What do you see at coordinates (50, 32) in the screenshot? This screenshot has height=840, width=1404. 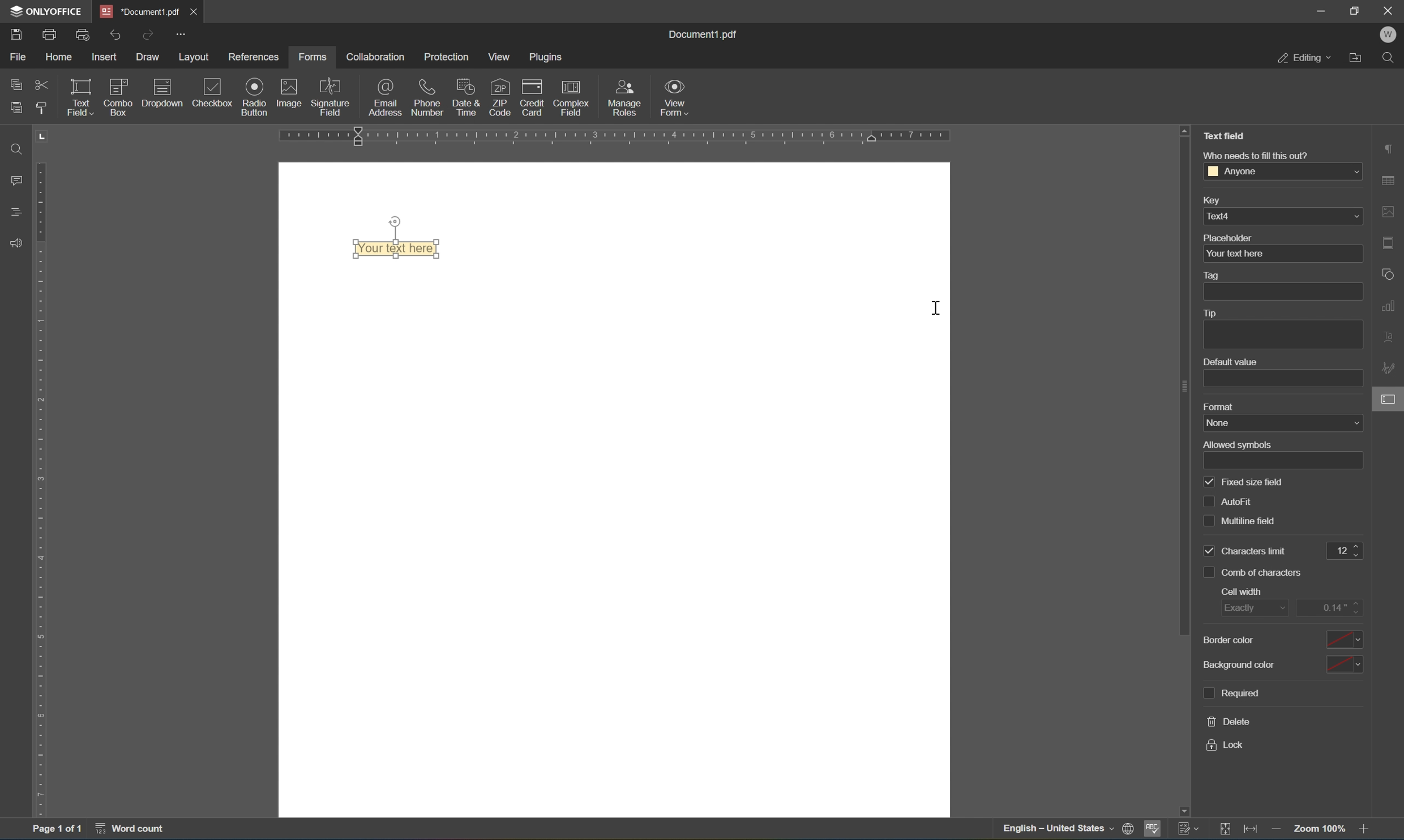 I see `print` at bounding box center [50, 32].